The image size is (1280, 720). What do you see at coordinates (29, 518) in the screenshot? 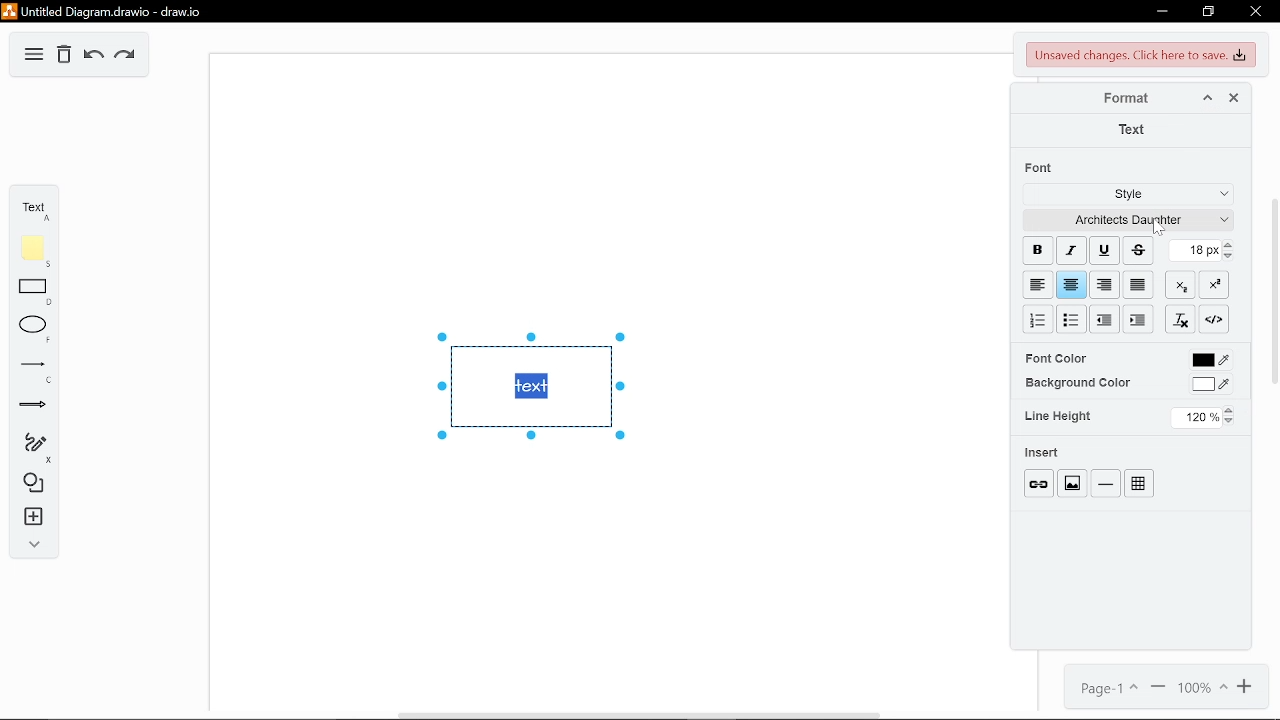
I see `insert` at bounding box center [29, 518].